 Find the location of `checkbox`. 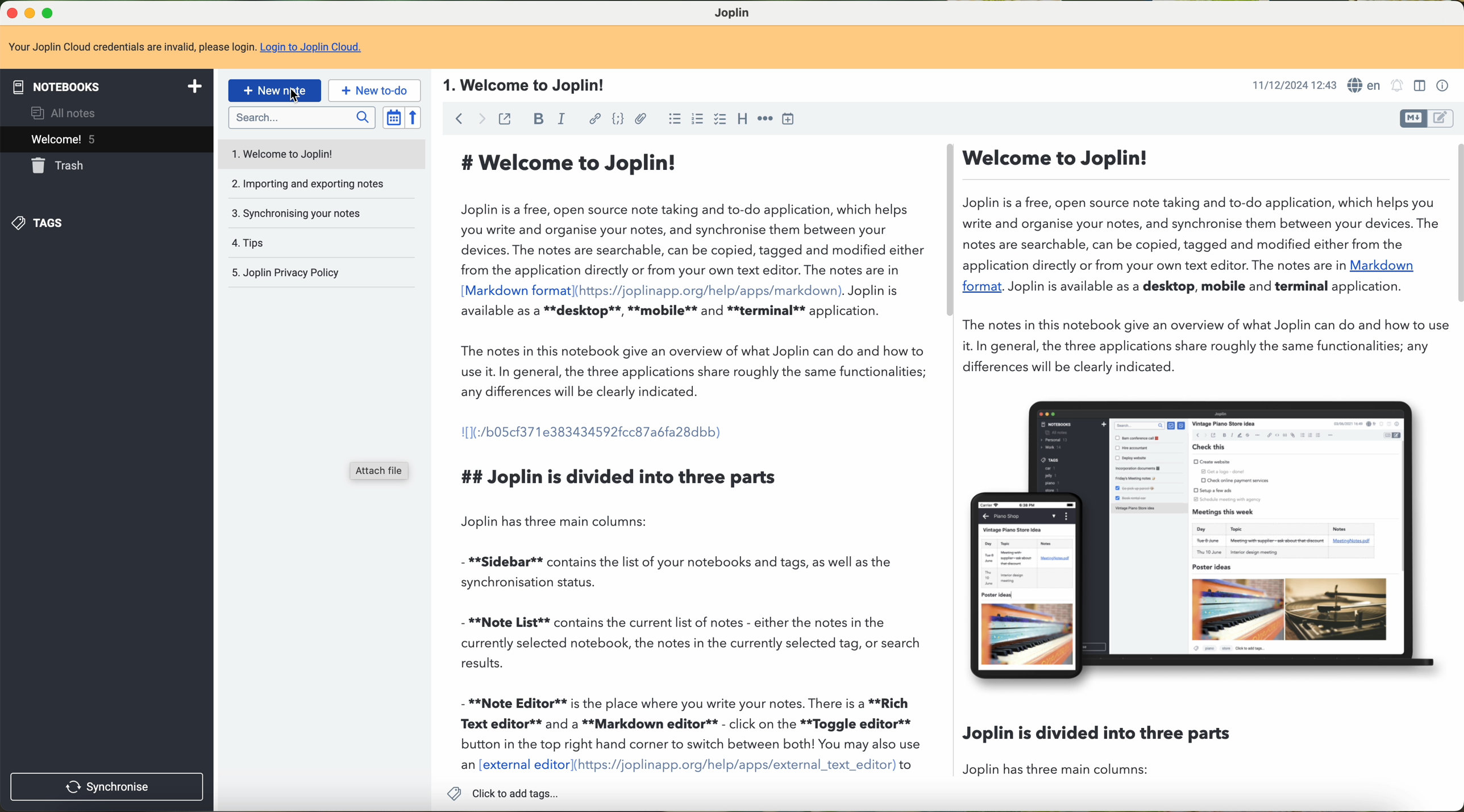

checkbox is located at coordinates (719, 119).